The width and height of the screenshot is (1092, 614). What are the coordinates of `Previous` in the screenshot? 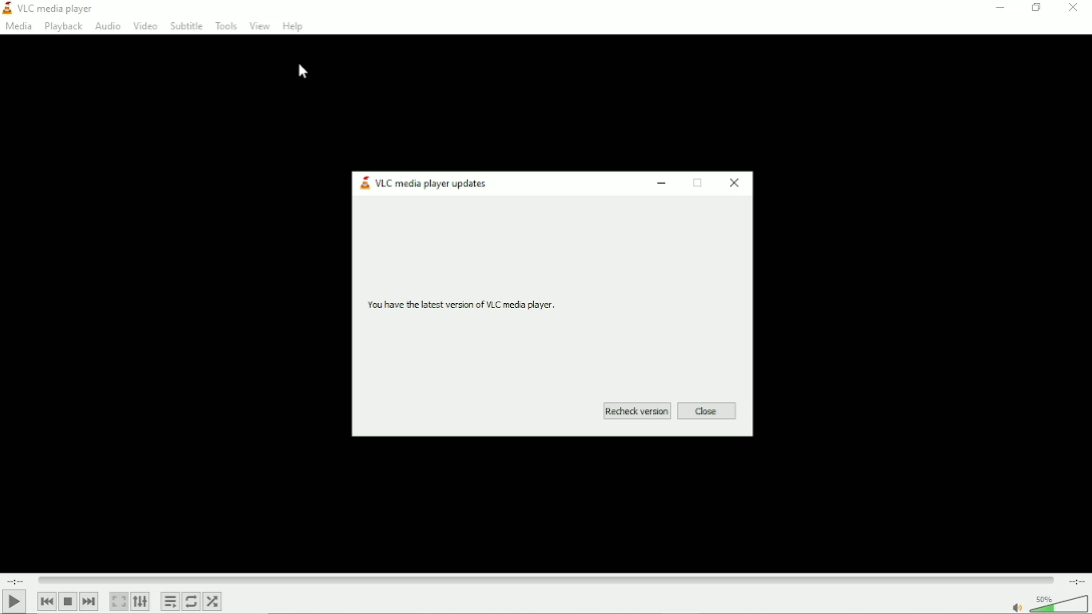 It's located at (47, 601).